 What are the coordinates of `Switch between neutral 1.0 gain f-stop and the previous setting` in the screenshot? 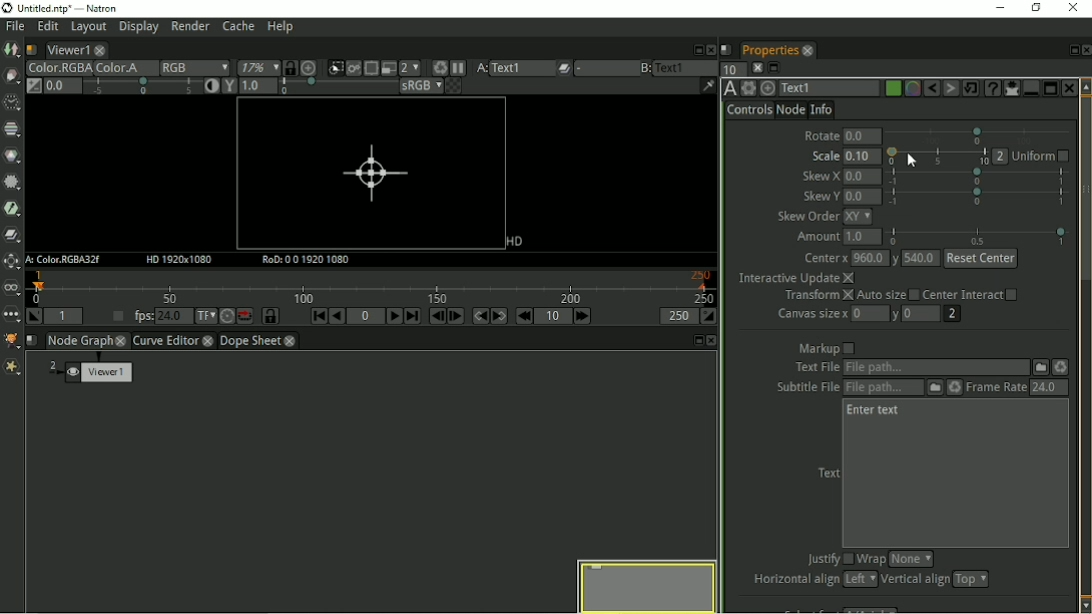 It's located at (33, 87).